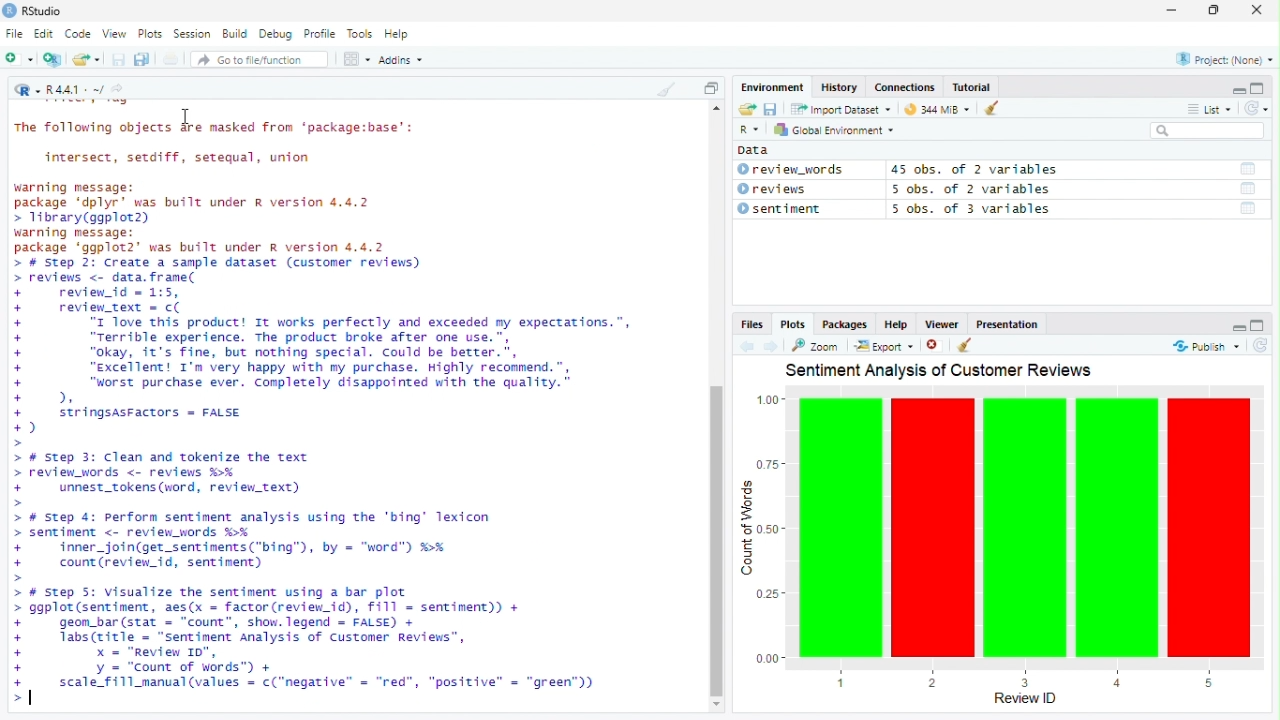 The image size is (1280, 720). I want to click on Code, so click(78, 33).